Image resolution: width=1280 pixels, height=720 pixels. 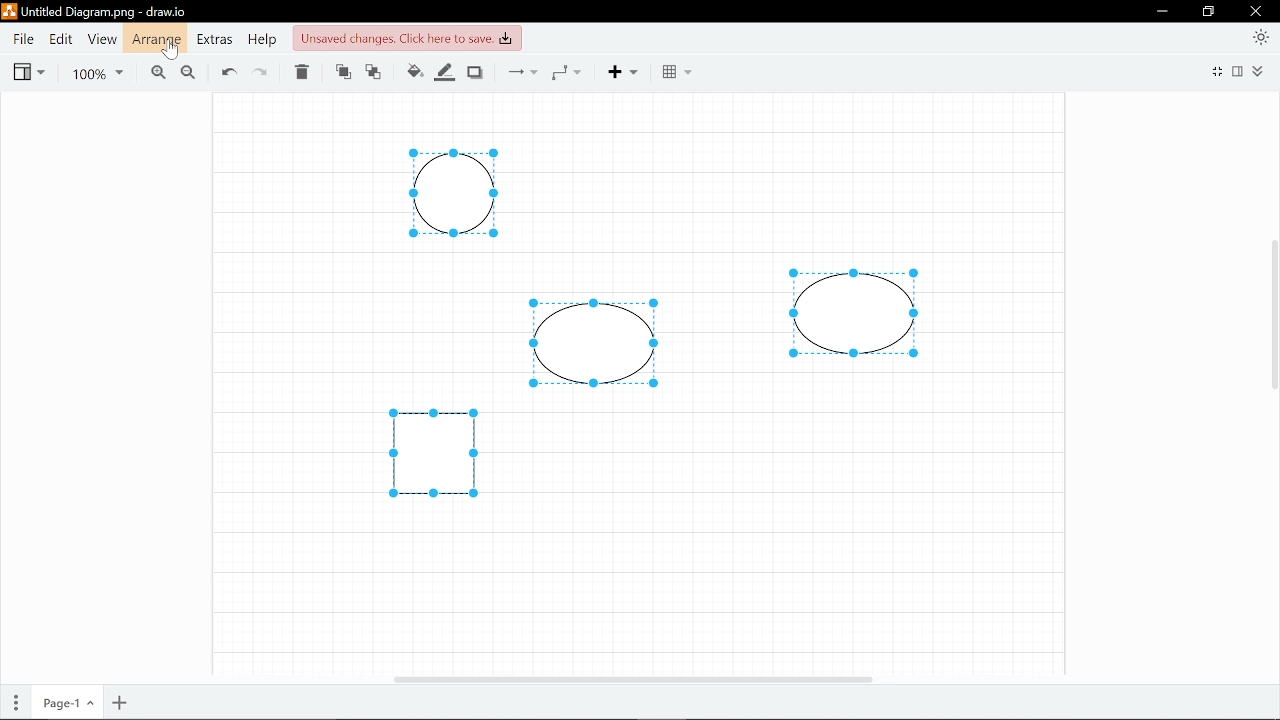 I want to click on Arrange, so click(x=155, y=39).